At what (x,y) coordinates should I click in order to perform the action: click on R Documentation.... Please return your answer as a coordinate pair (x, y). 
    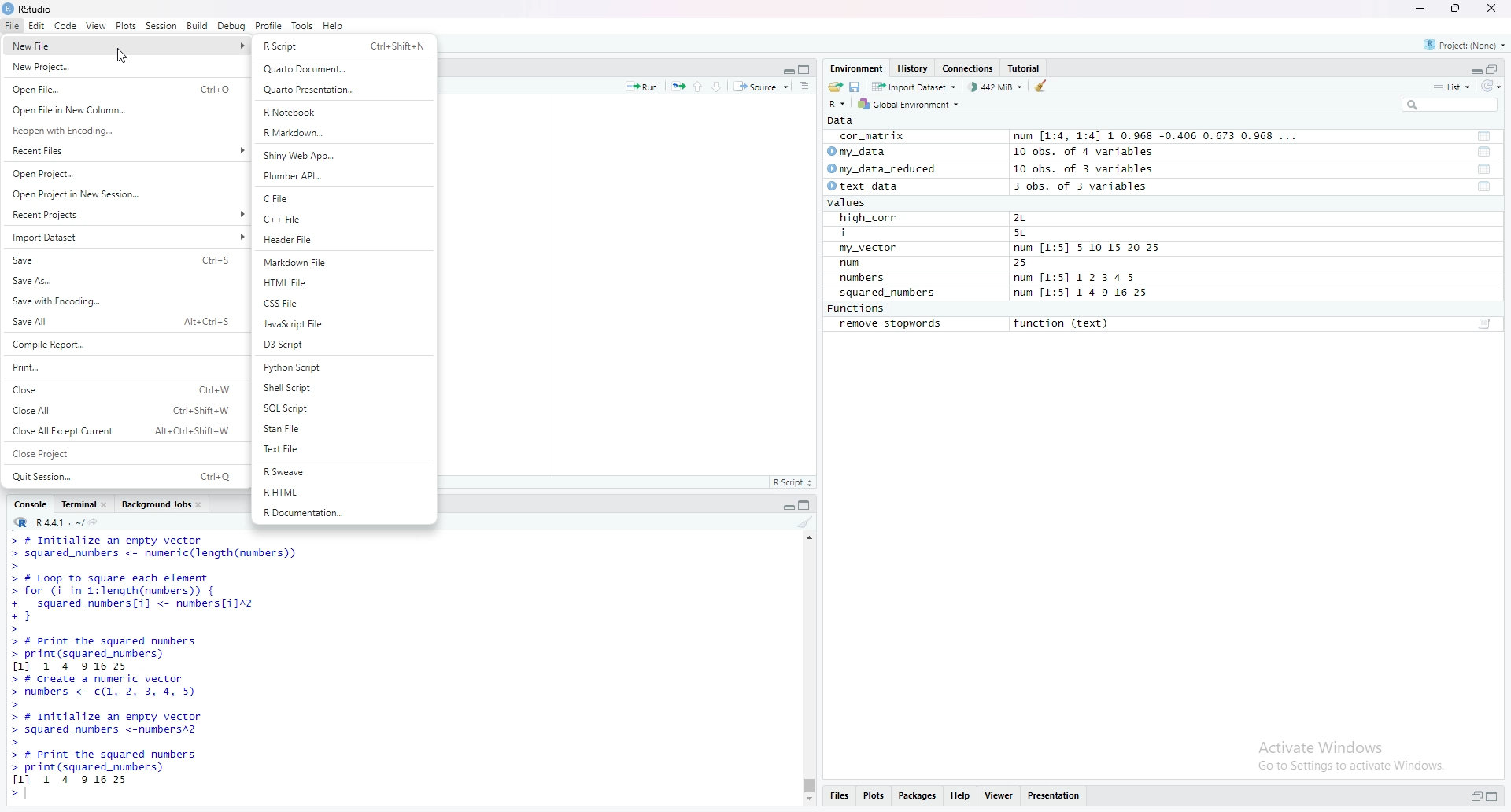
    Looking at the image, I should click on (342, 514).